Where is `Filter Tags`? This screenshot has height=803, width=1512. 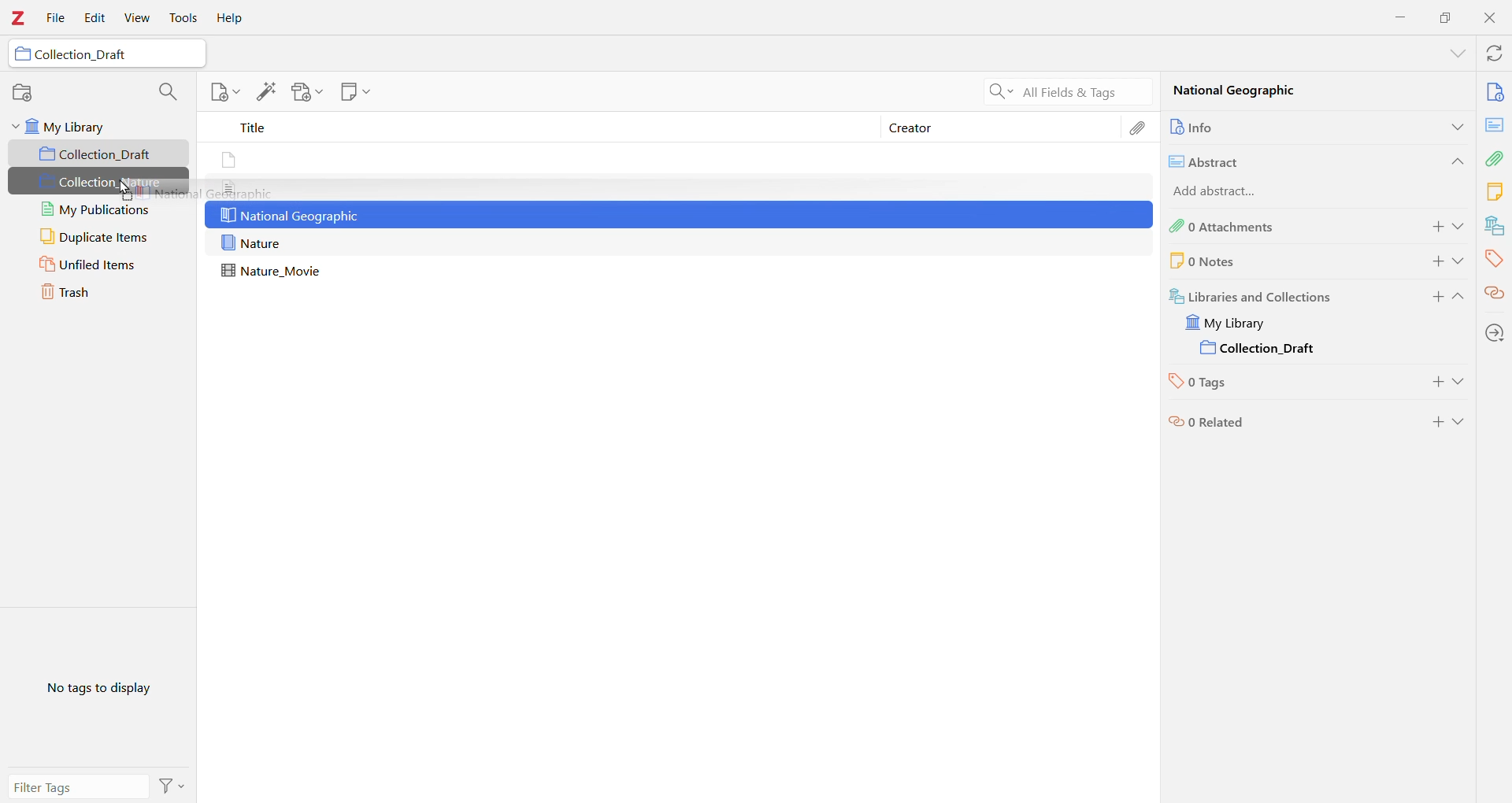 Filter Tags is located at coordinates (77, 786).